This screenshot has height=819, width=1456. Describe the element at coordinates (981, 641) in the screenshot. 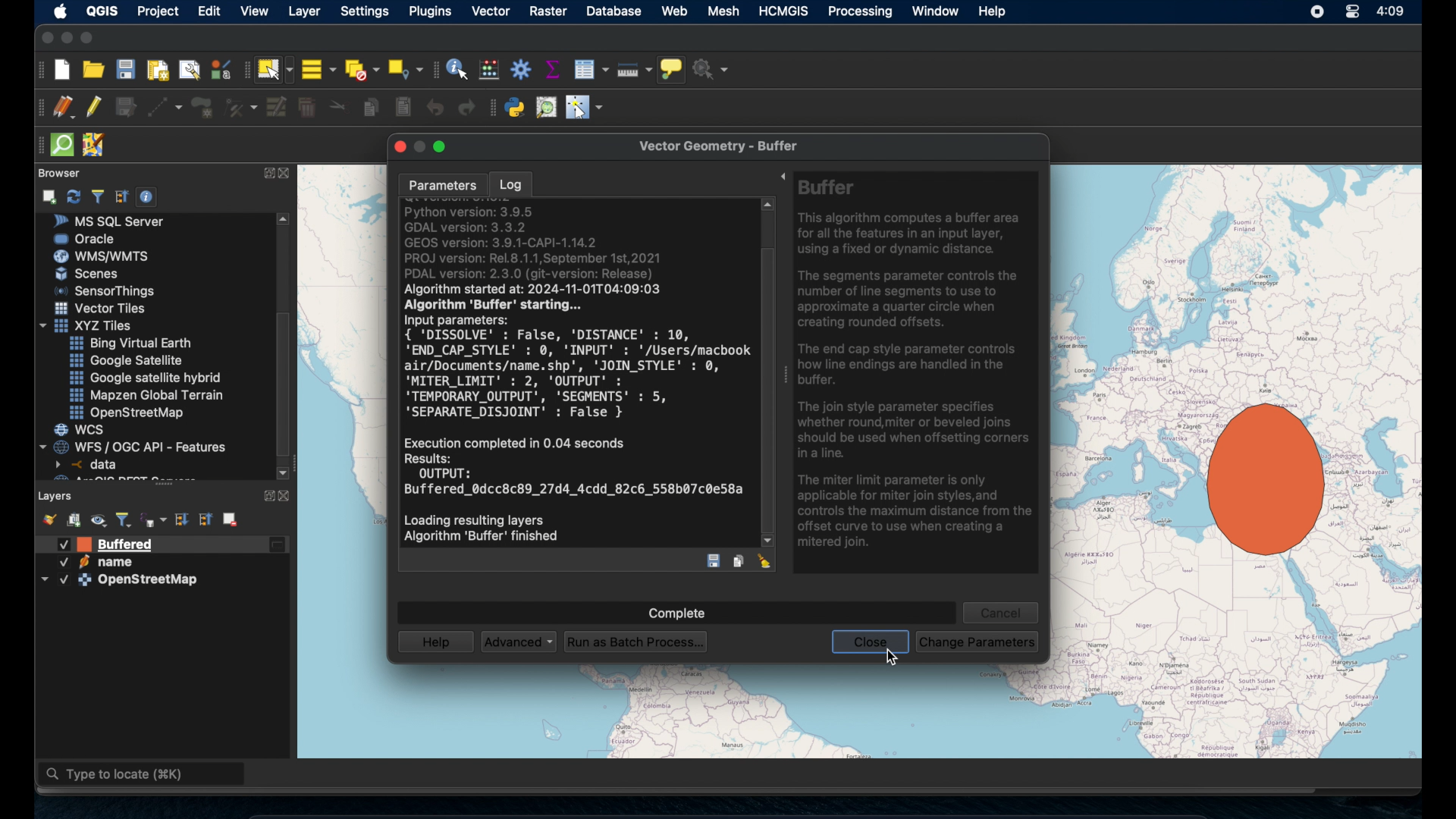

I see `change parameters` at that location.